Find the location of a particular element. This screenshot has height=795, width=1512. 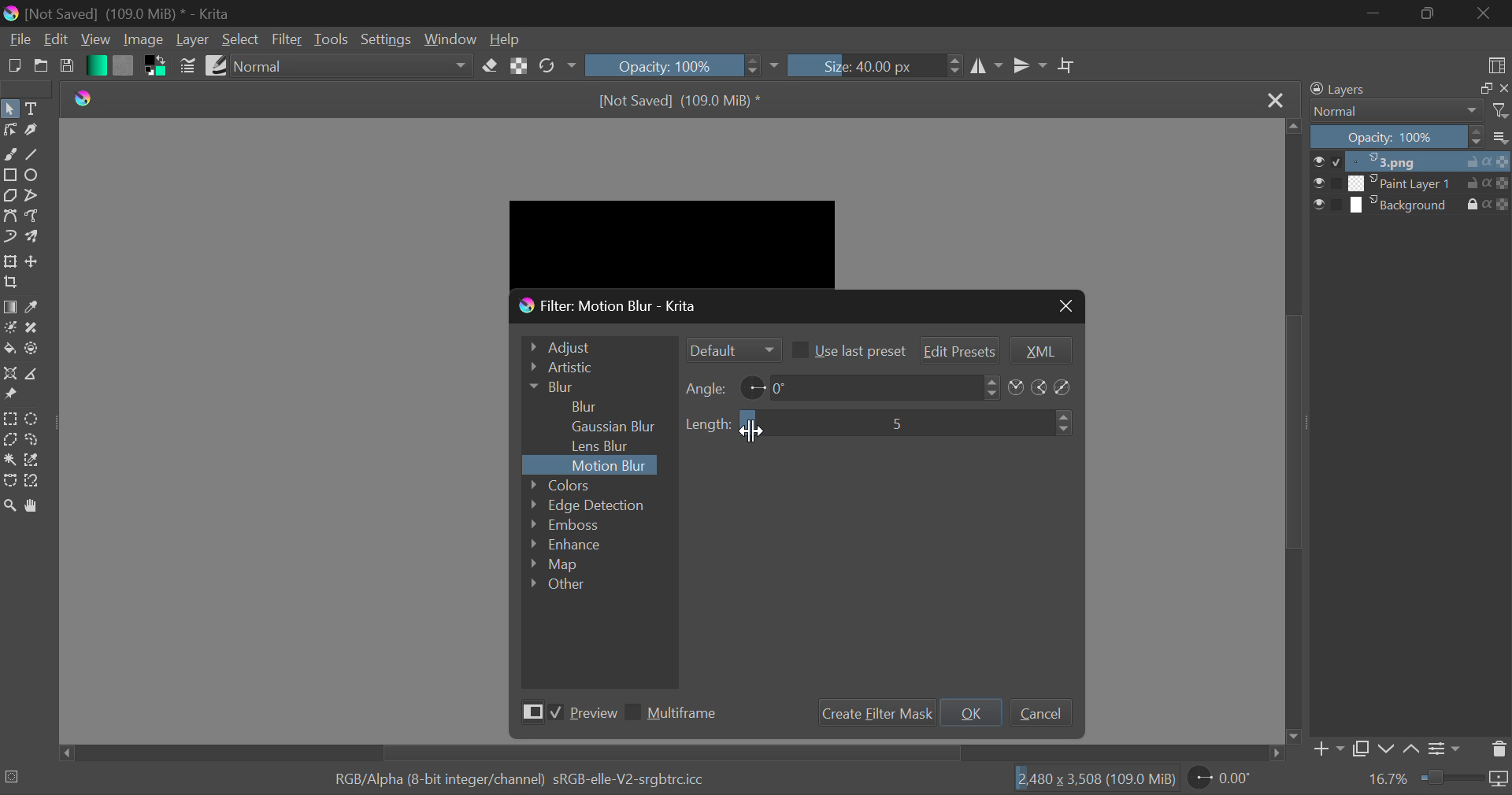

Line is located at coordinates (34, 153).